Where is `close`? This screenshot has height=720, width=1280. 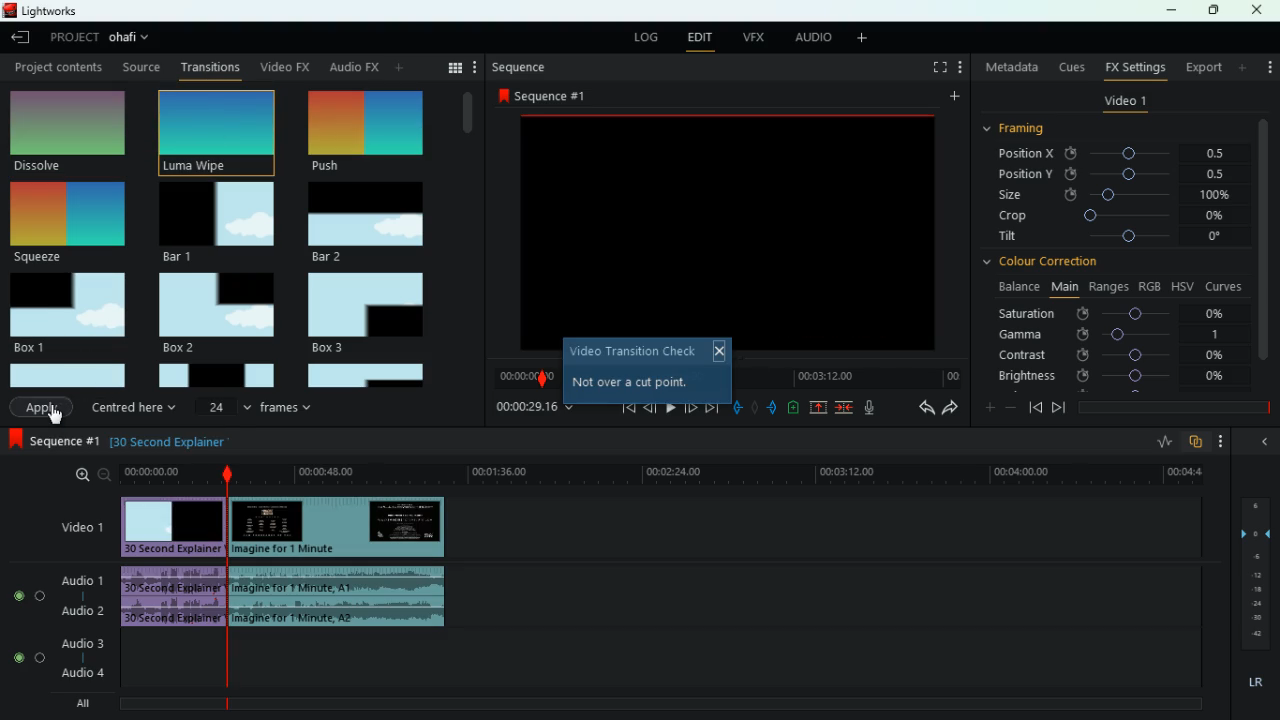 close is located at coordinates (1258, 10).